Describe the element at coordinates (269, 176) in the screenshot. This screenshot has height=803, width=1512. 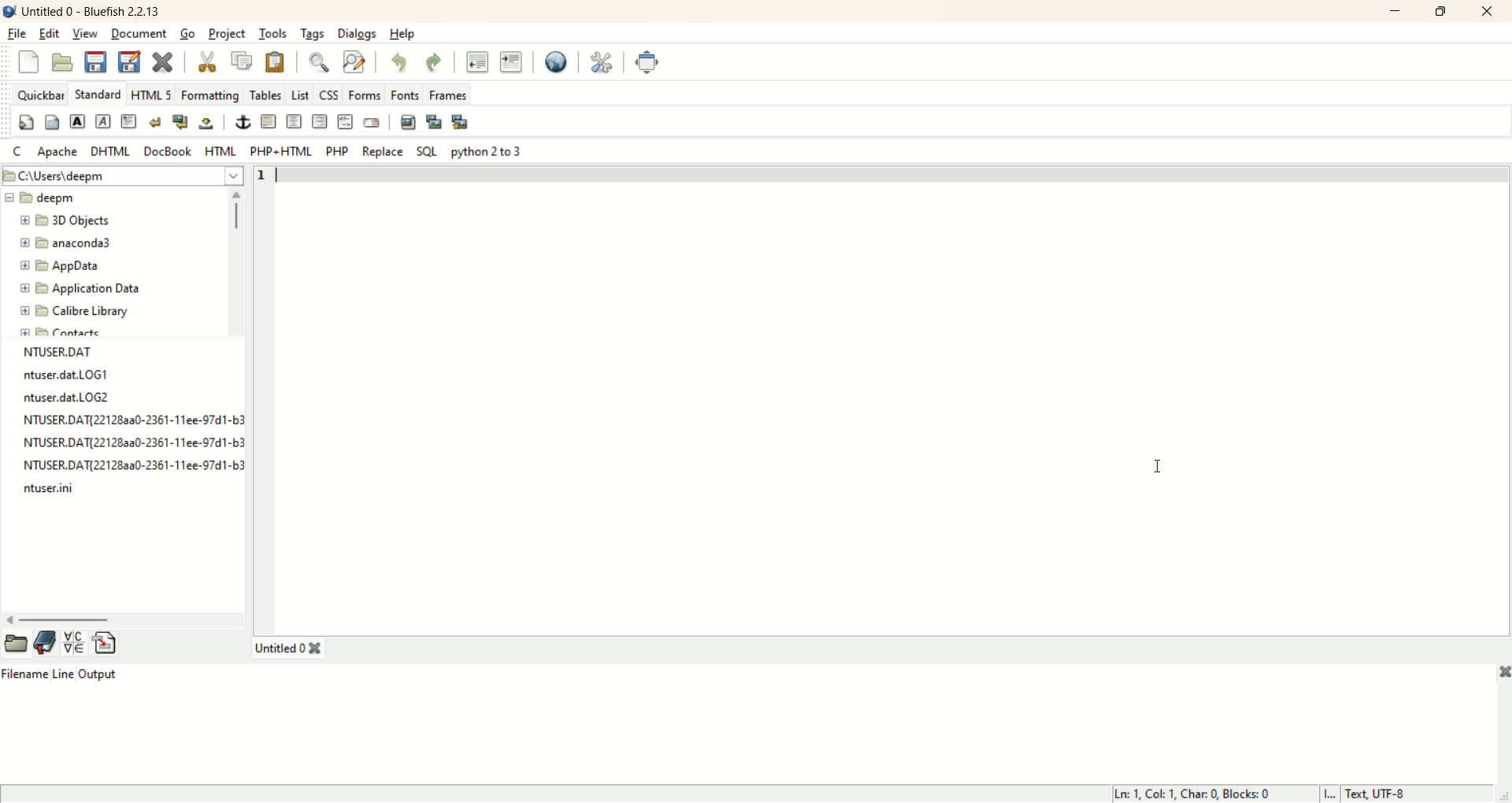
I see `line number` at that location.